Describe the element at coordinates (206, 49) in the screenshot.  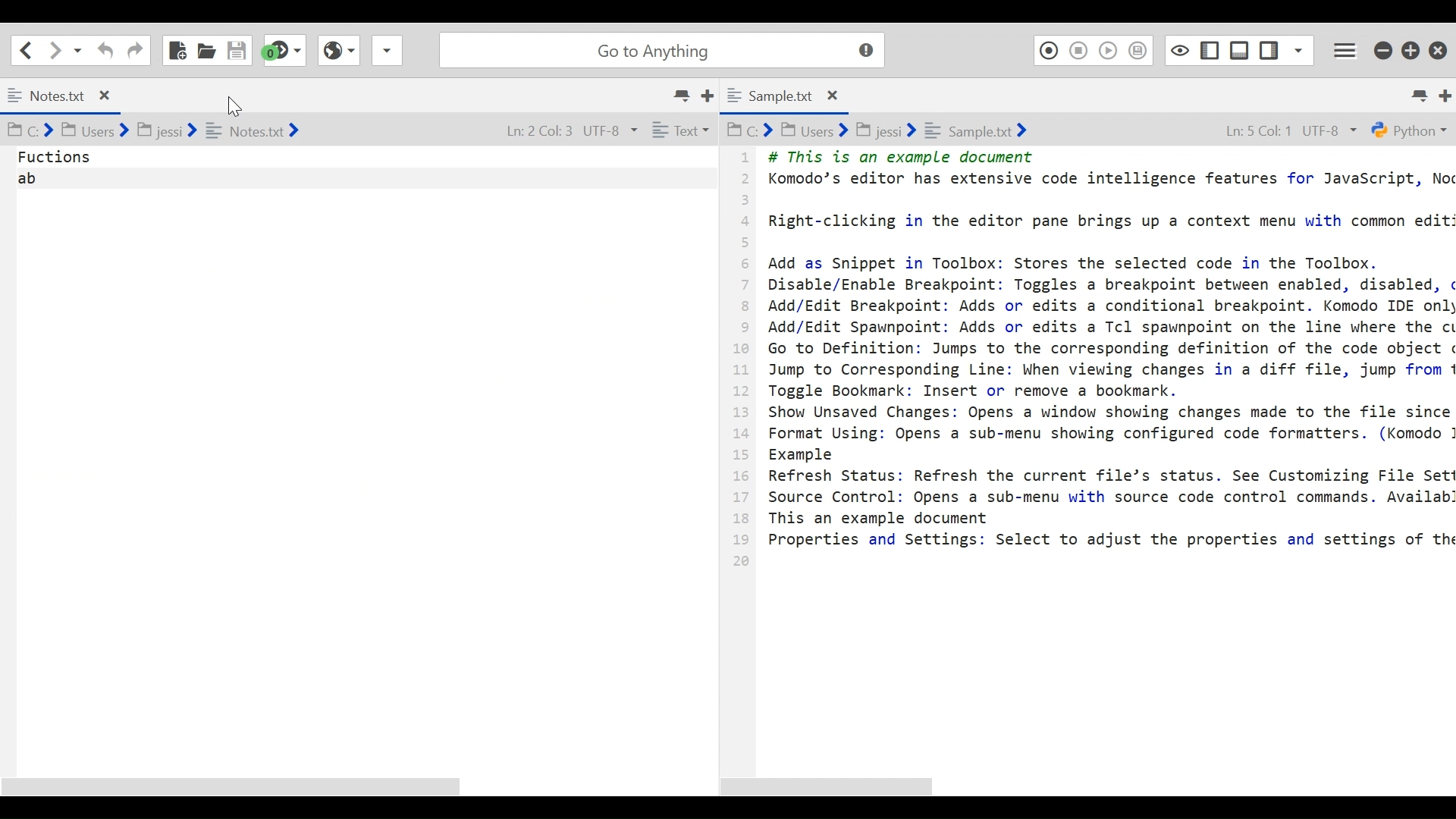
I see `Open File` at that location.